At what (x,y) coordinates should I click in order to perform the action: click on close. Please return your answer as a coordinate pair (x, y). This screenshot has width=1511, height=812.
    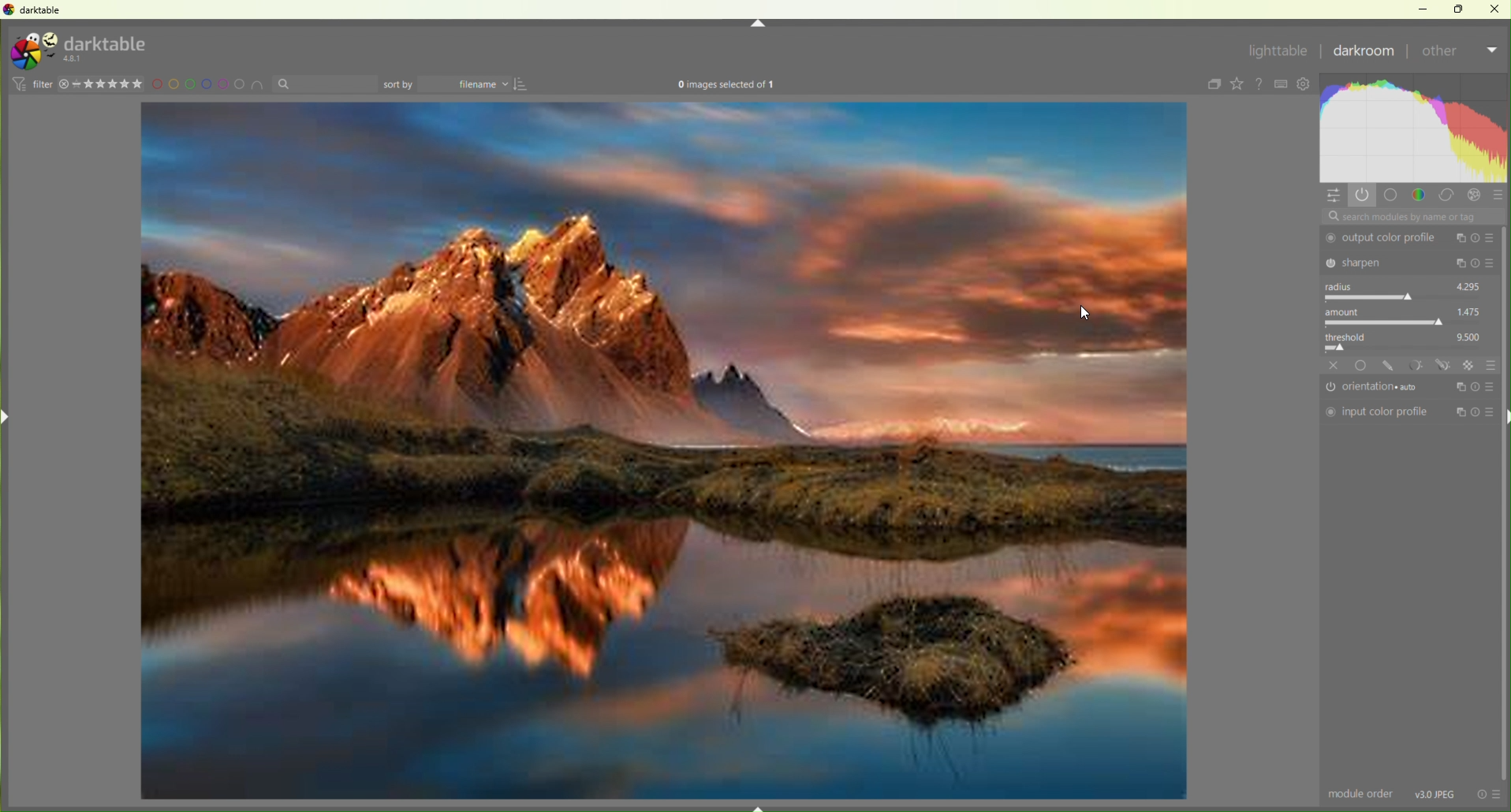
    Looking at the image, I should click on (1495, 8).